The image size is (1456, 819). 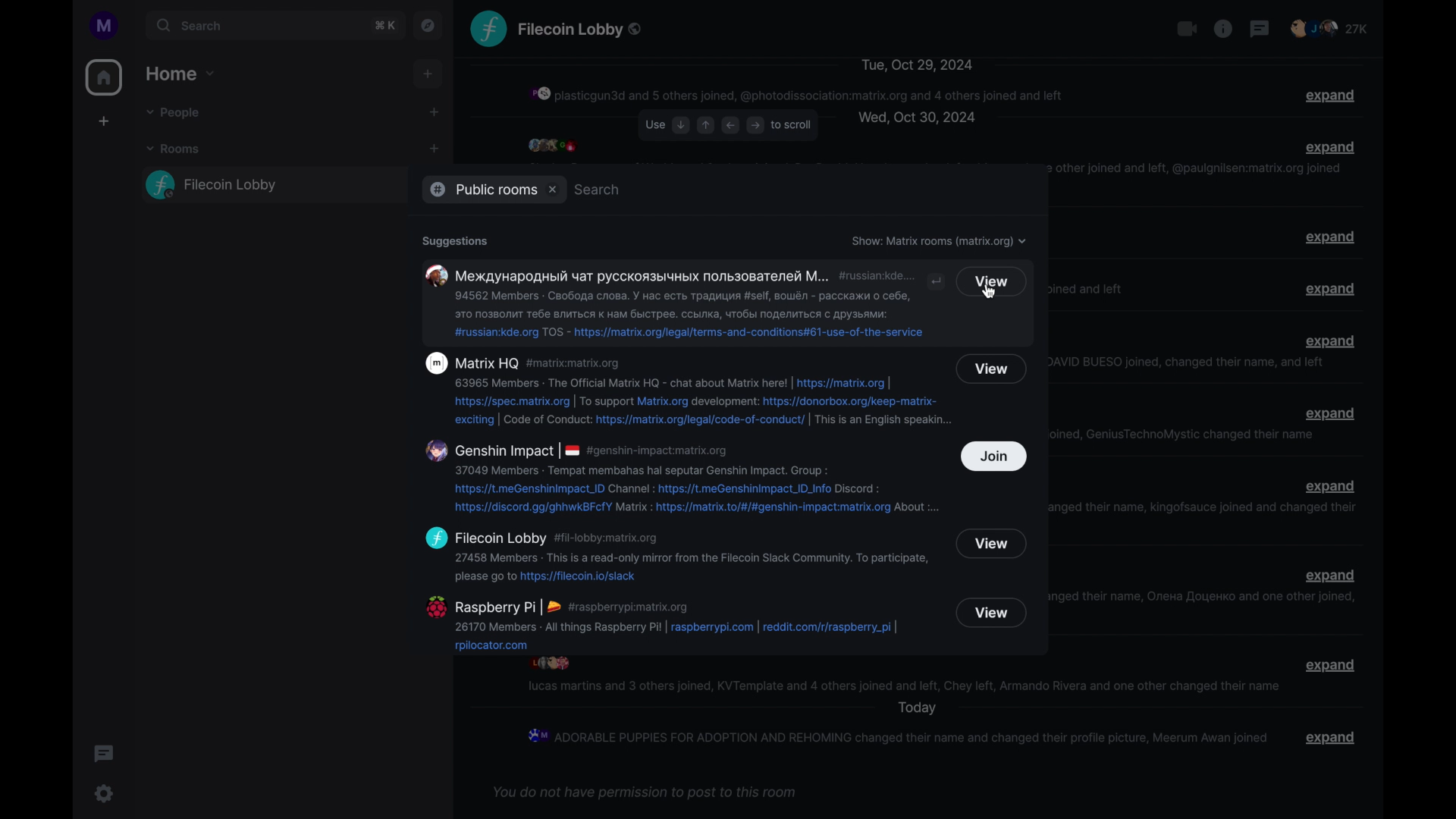 I want to click on explore rooms, so click(x=427, y=26).